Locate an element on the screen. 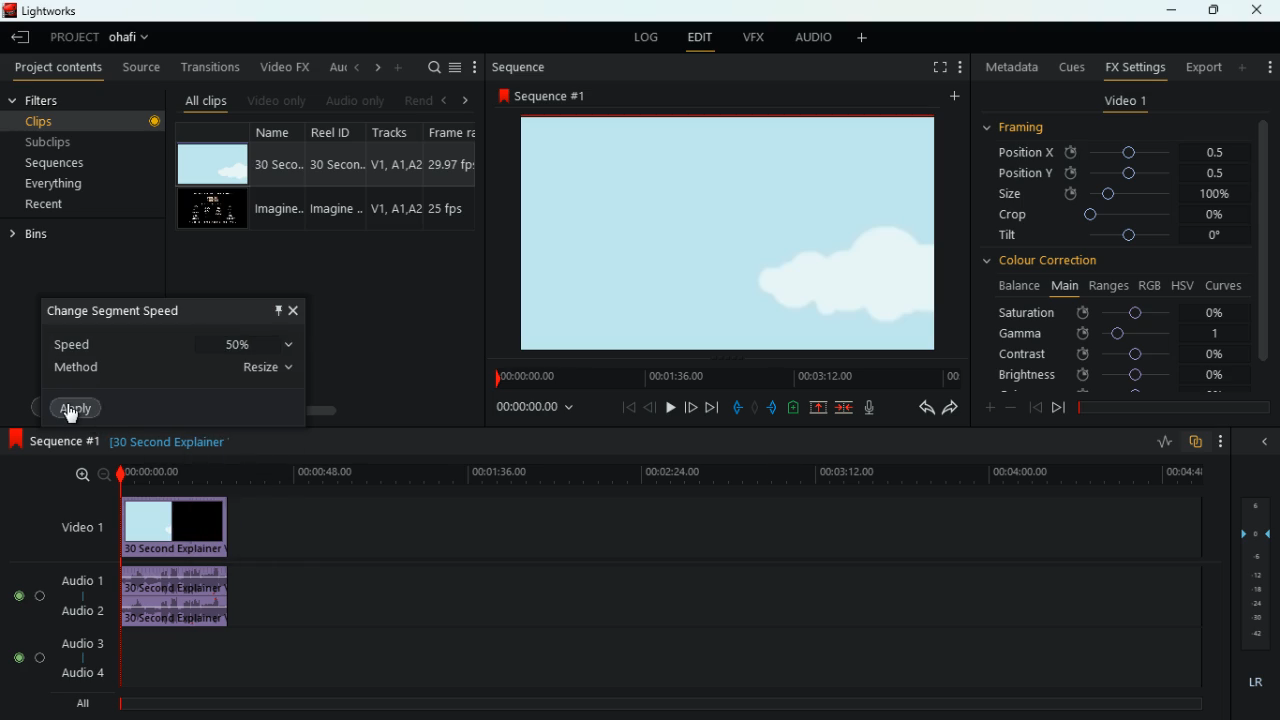 This screenshot has width=1280, height=720. mic is located at coordinates (866, 408).